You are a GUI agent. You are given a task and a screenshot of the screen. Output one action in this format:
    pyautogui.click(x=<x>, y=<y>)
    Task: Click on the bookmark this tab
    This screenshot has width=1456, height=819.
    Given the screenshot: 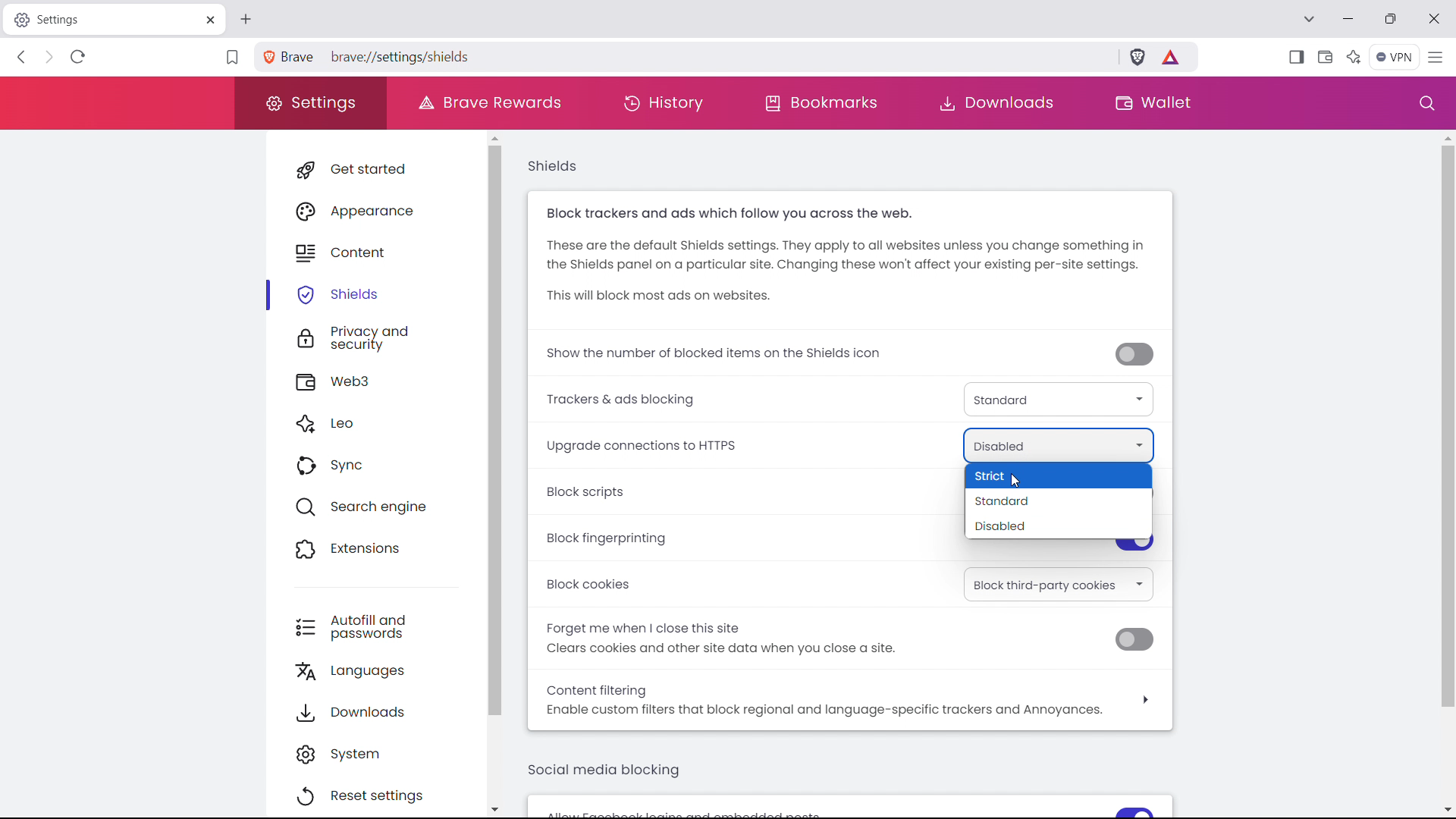 What is the action you would take?
    pyautogui.click(x=232, y=58)
    